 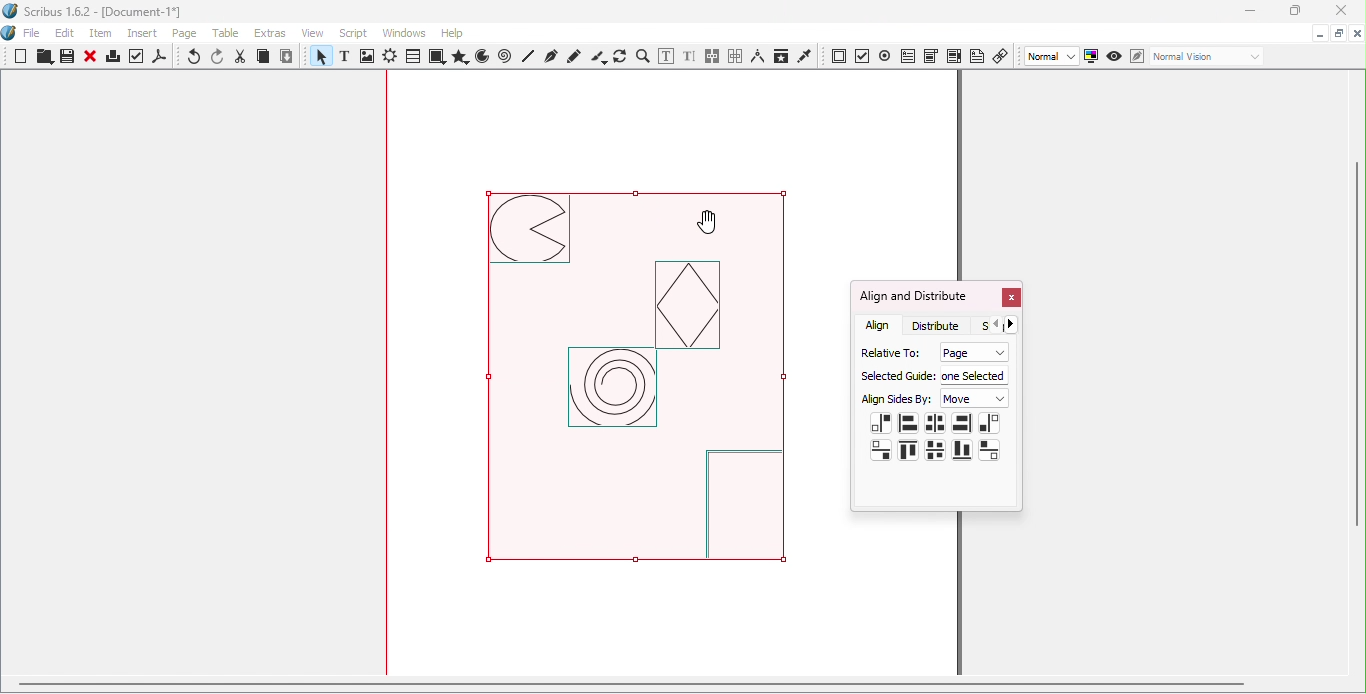 I want to click on Windows, so click(x=404, y=33).